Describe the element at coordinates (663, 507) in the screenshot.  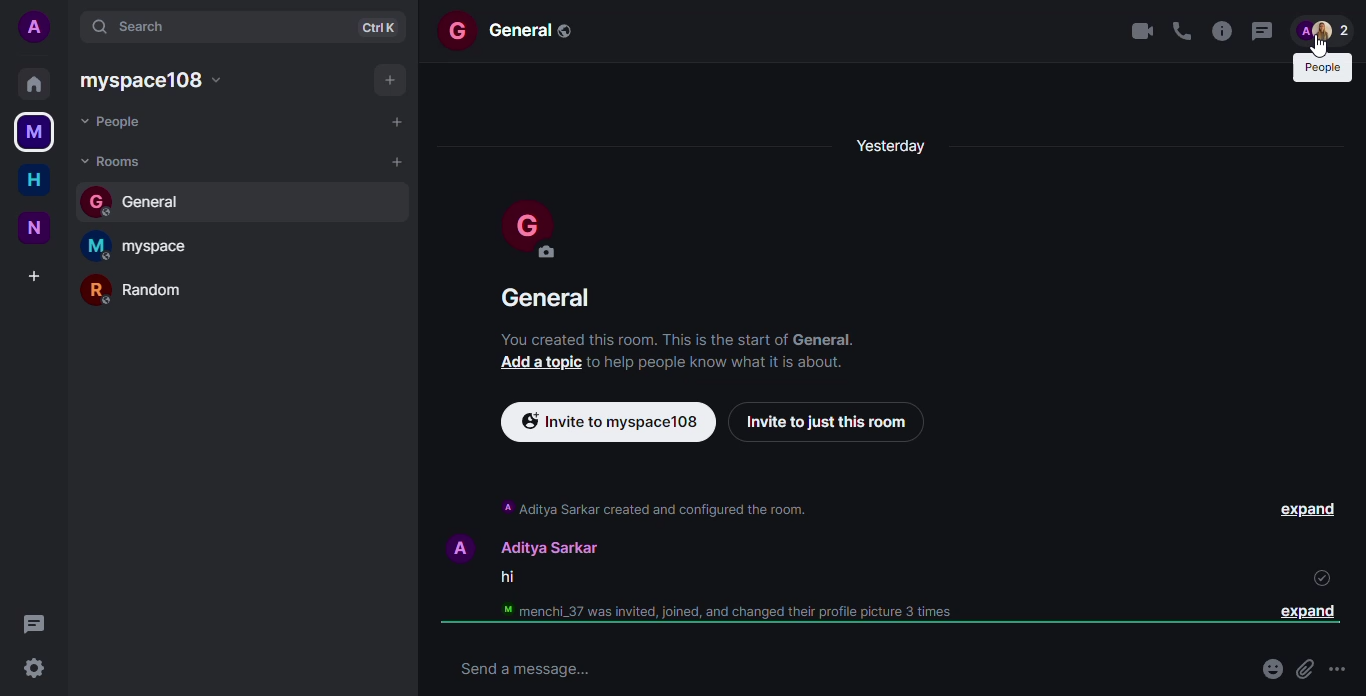
I see `A Aditya Sarkar created and configured the room.` at that location.